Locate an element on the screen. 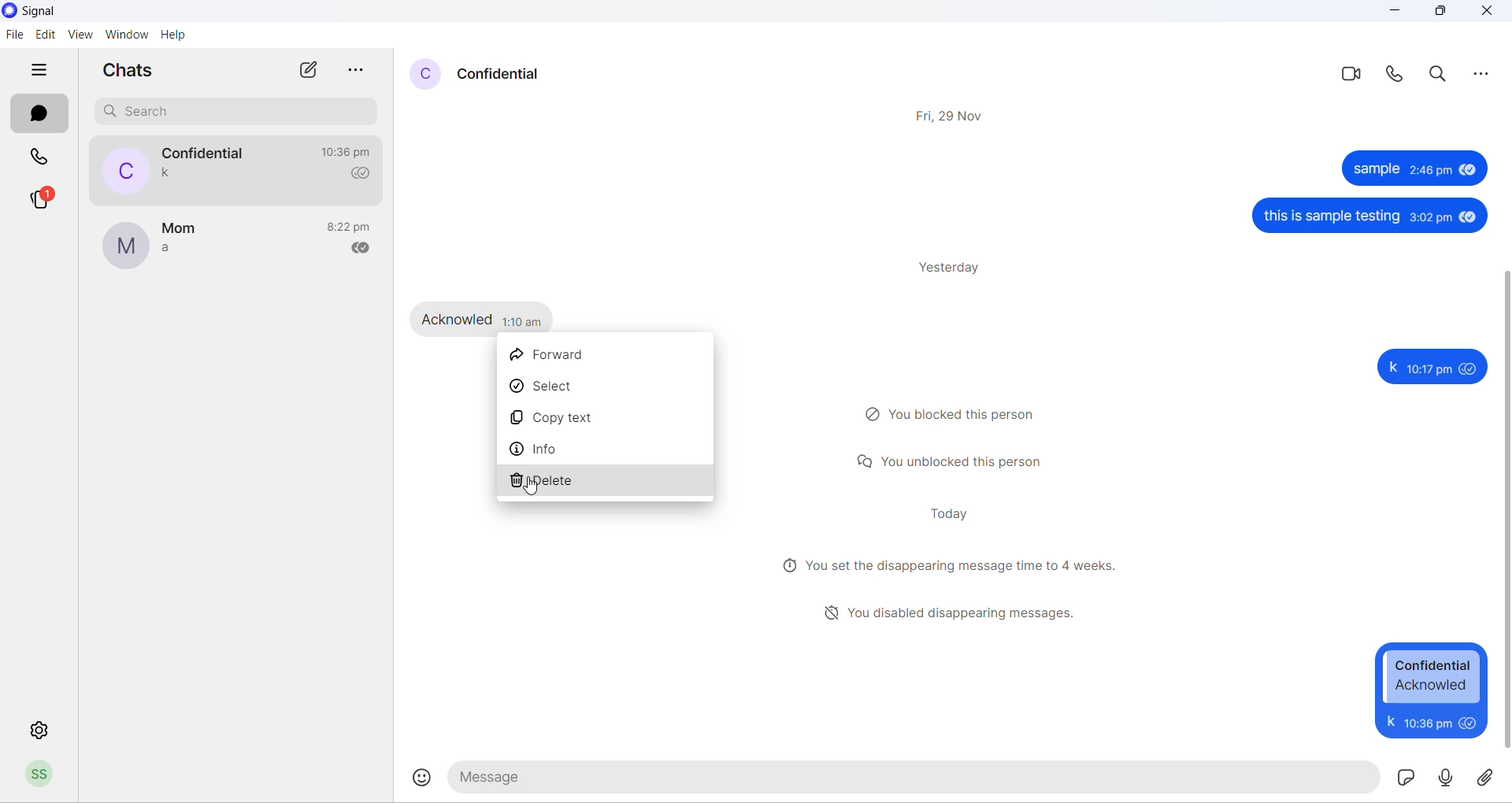 This screenshot has width=1512, height=803. Fri, 29 nov is located at coordinates (953, 117).